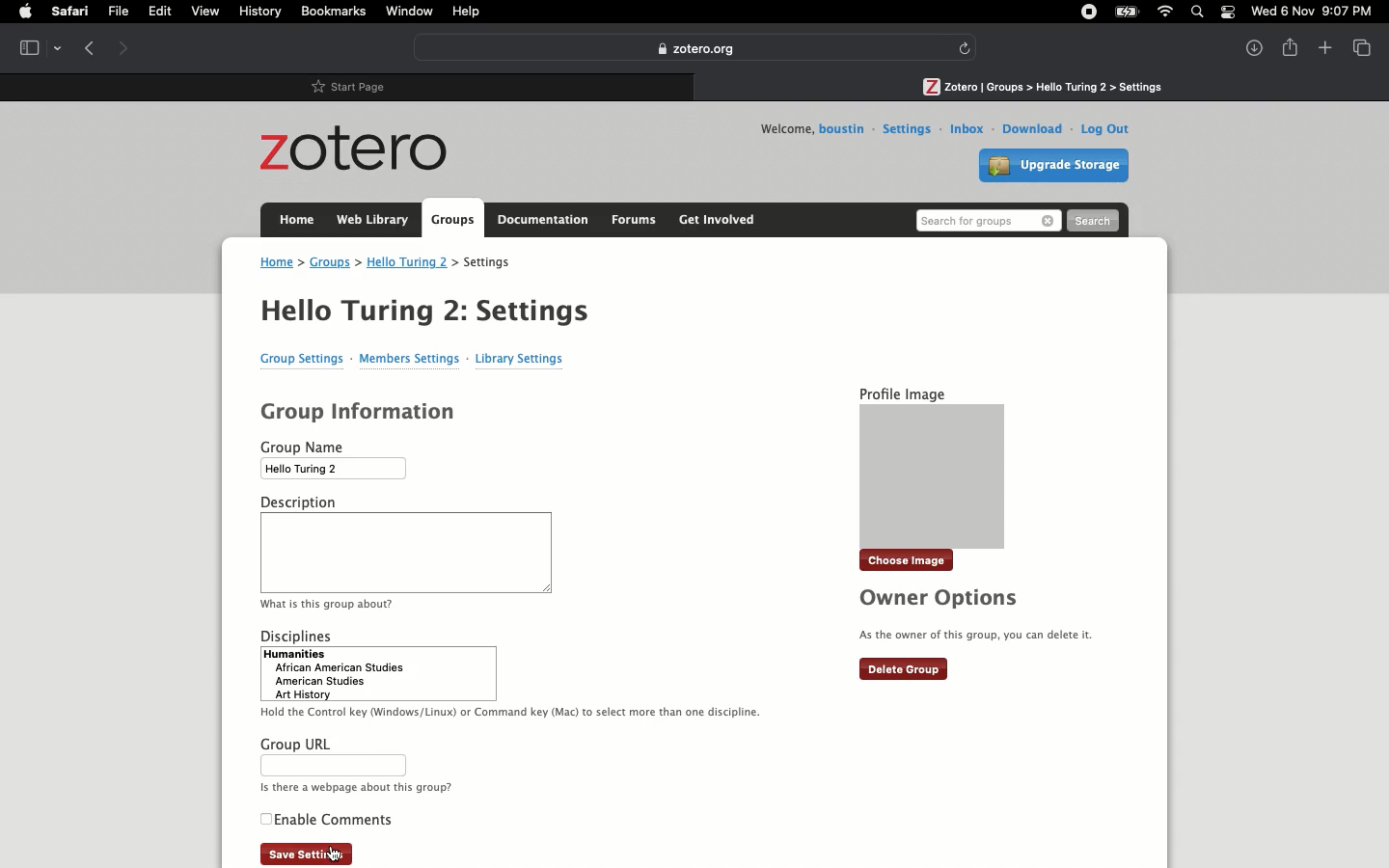  I want to click on View, so click(208, 13).